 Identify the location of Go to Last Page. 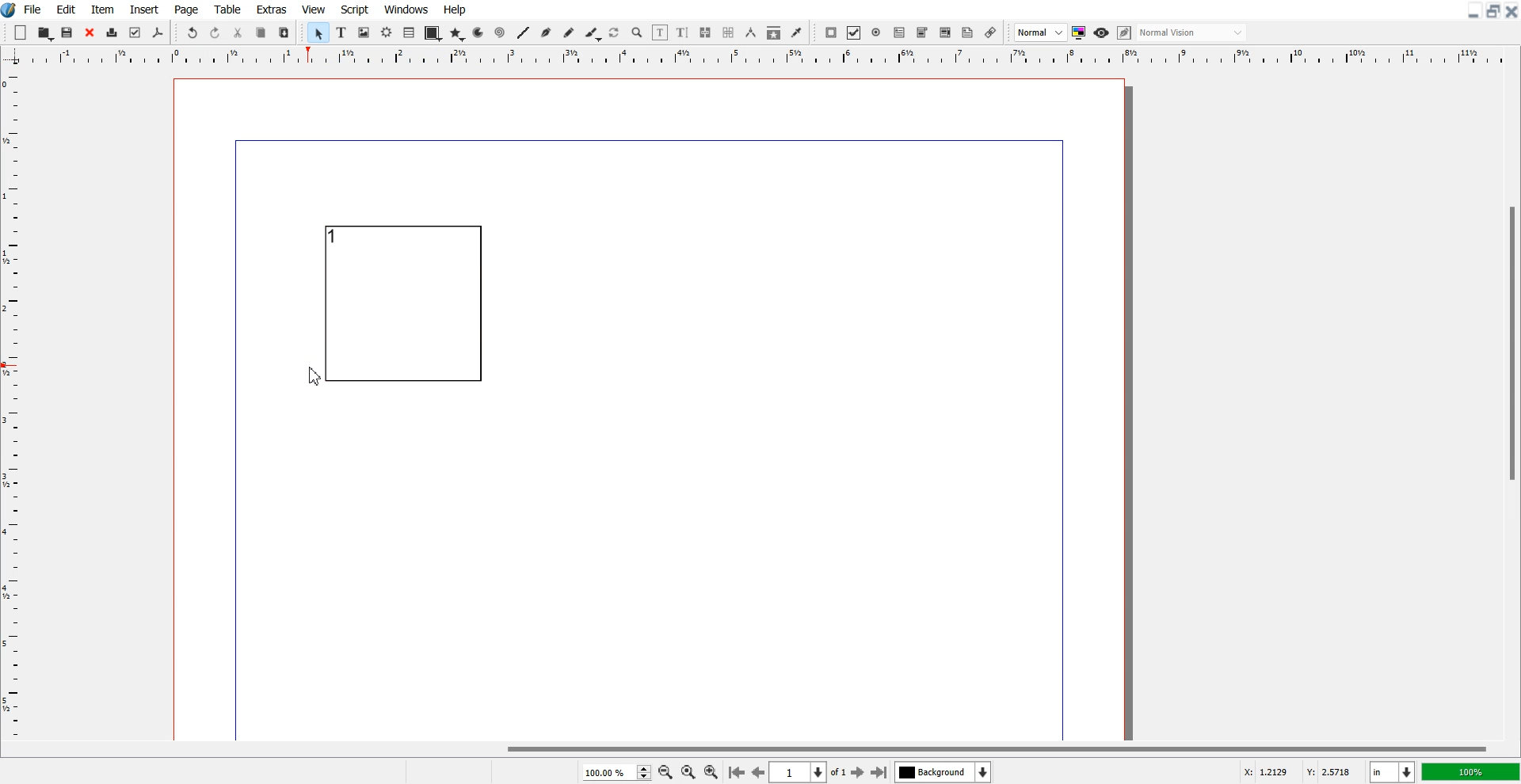
(879, 773).